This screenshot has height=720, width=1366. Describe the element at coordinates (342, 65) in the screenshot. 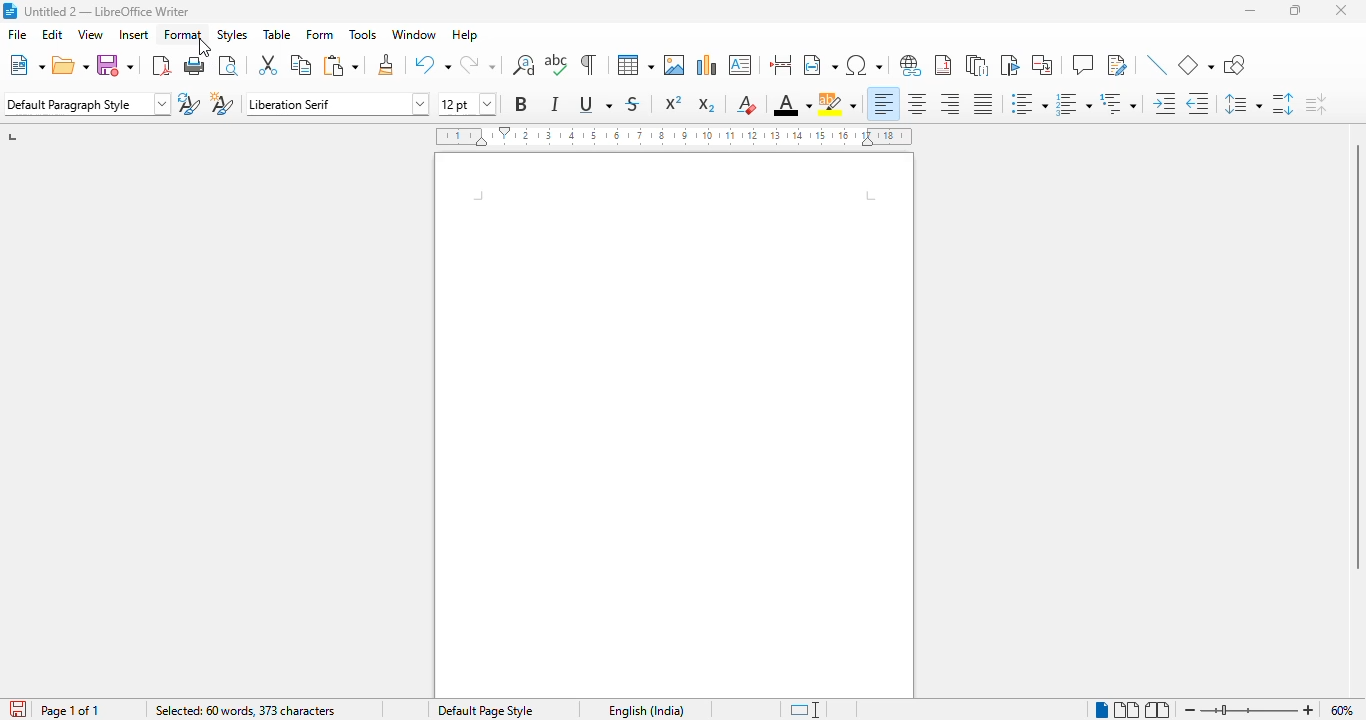

I see `paste` at that location.